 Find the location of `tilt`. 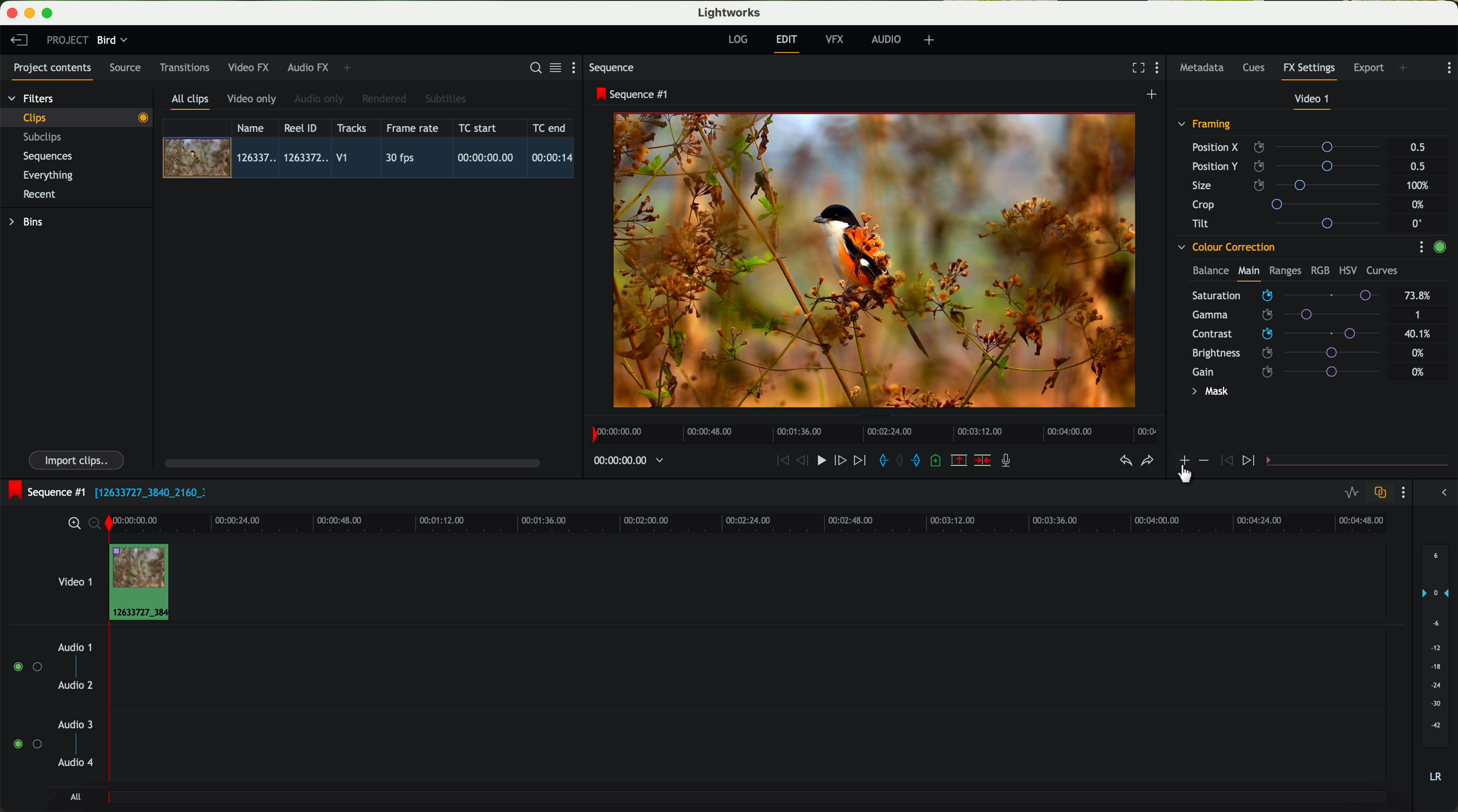

tilt is located at coordinates (1291, 223).